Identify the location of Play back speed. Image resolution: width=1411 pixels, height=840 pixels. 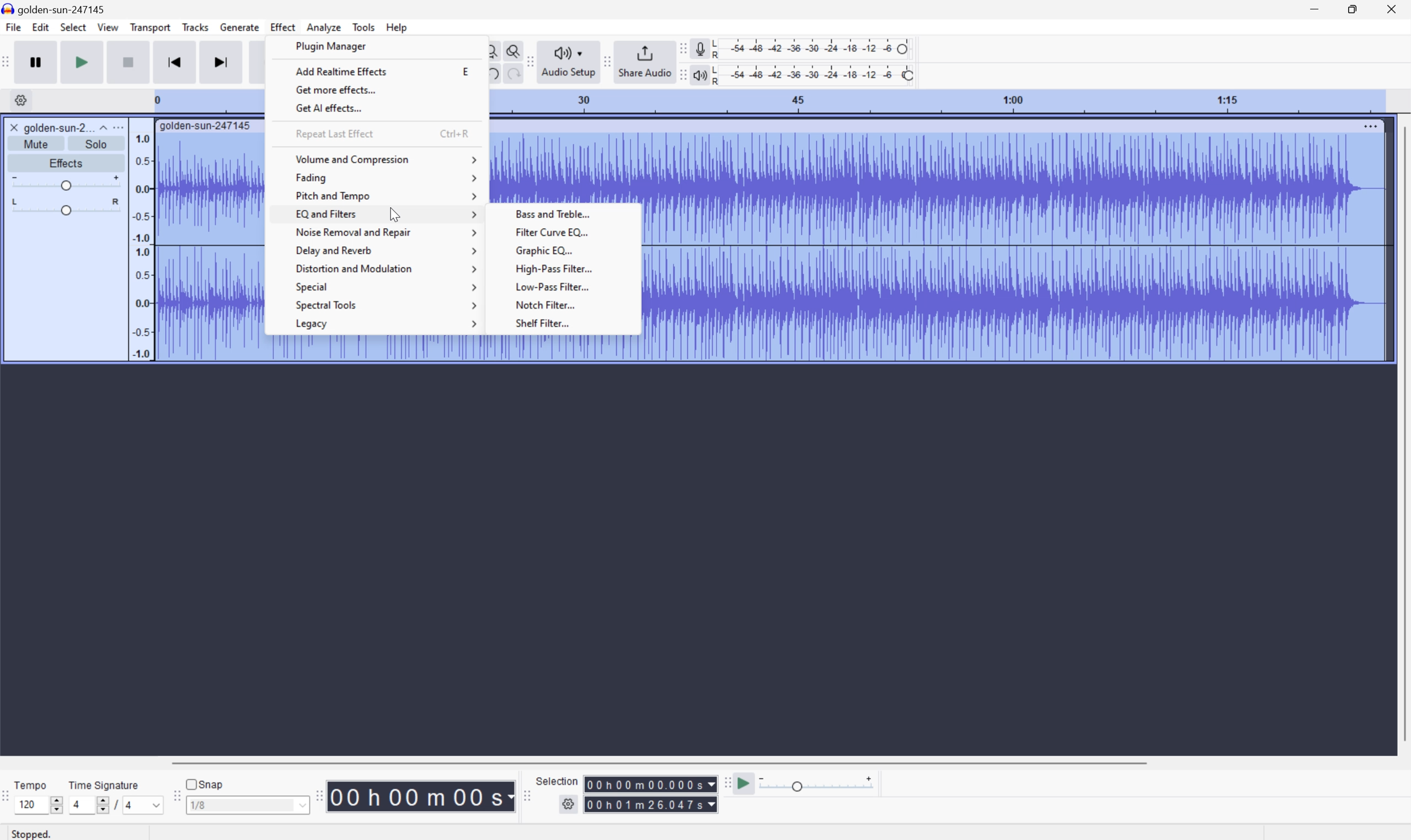
(820, 783).